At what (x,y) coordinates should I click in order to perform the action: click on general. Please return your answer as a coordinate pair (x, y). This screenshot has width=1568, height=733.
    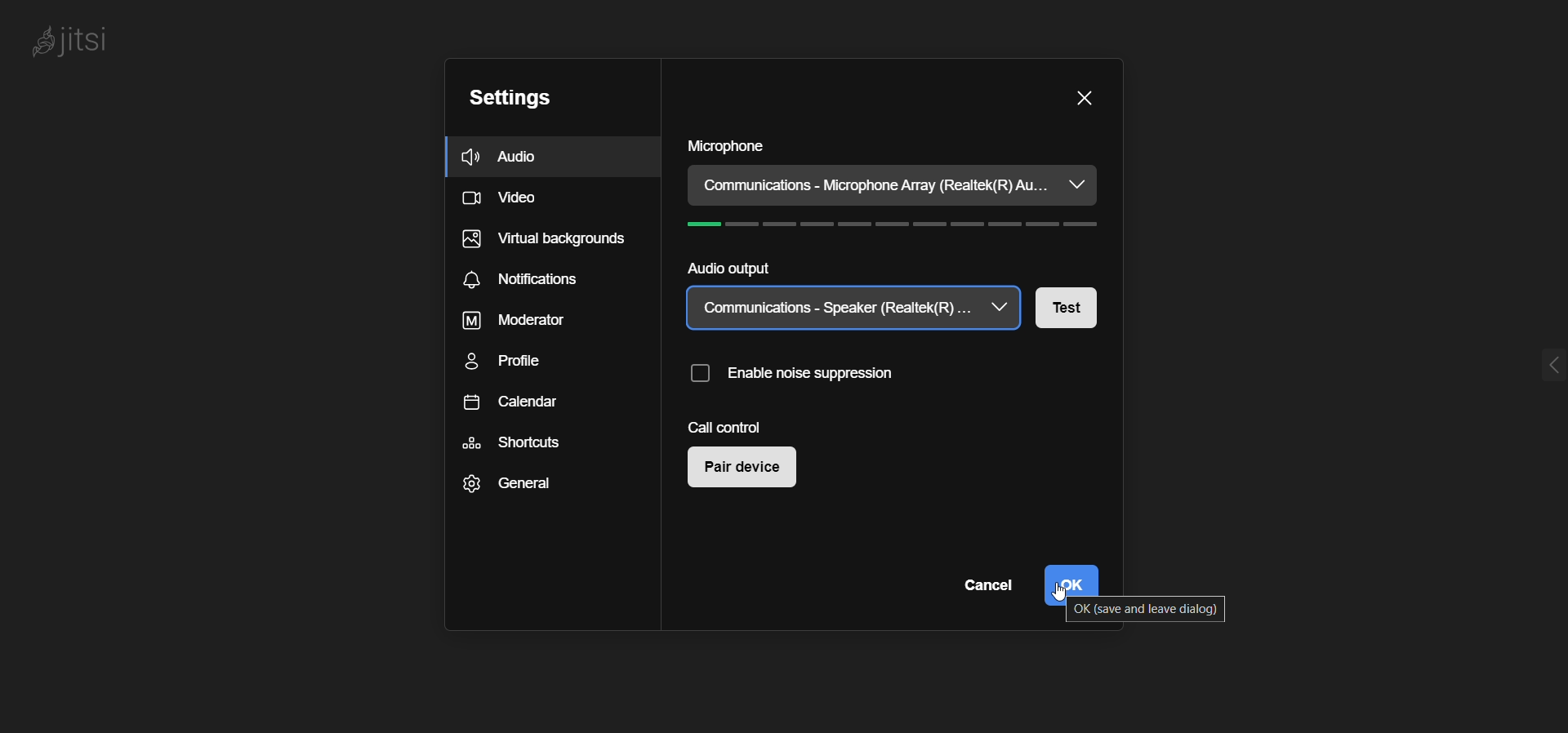
    Looking at the image, I should click on (503, 486).